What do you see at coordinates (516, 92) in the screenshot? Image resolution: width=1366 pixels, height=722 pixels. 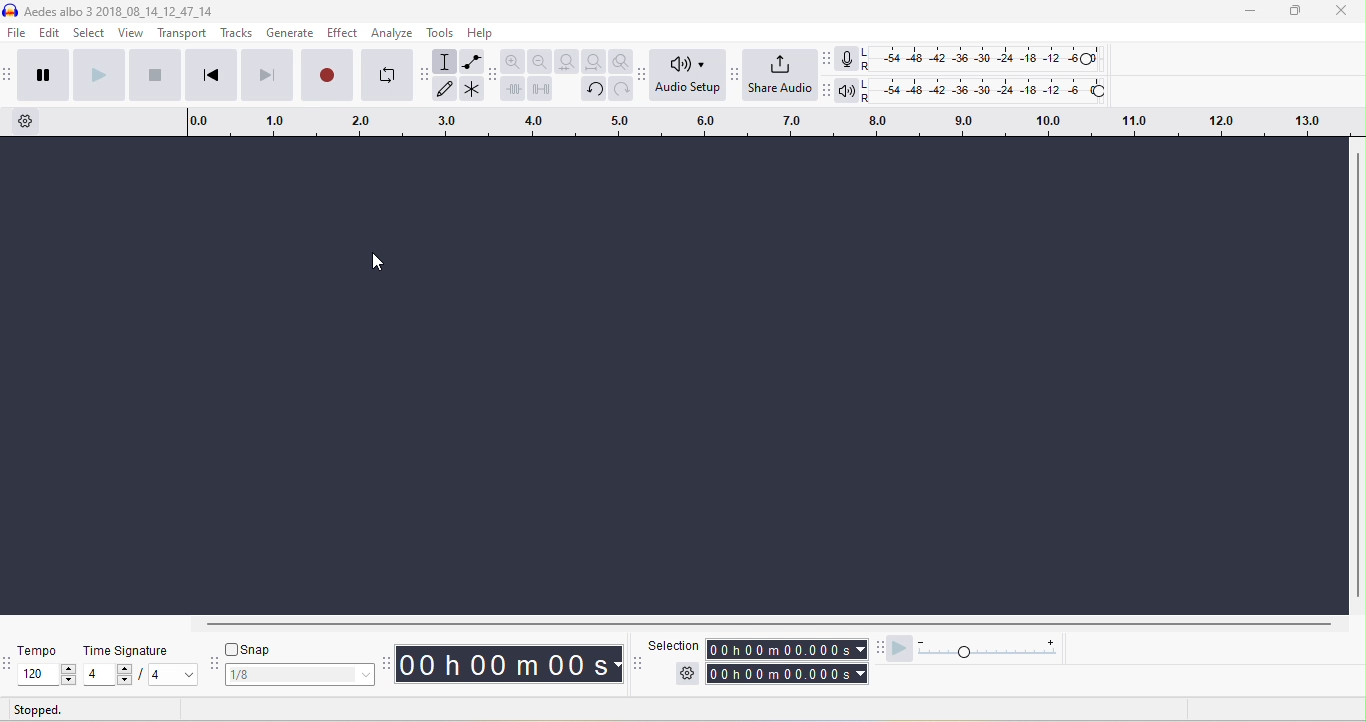 I see `trim outside slection` at bounding box center [516, 92].